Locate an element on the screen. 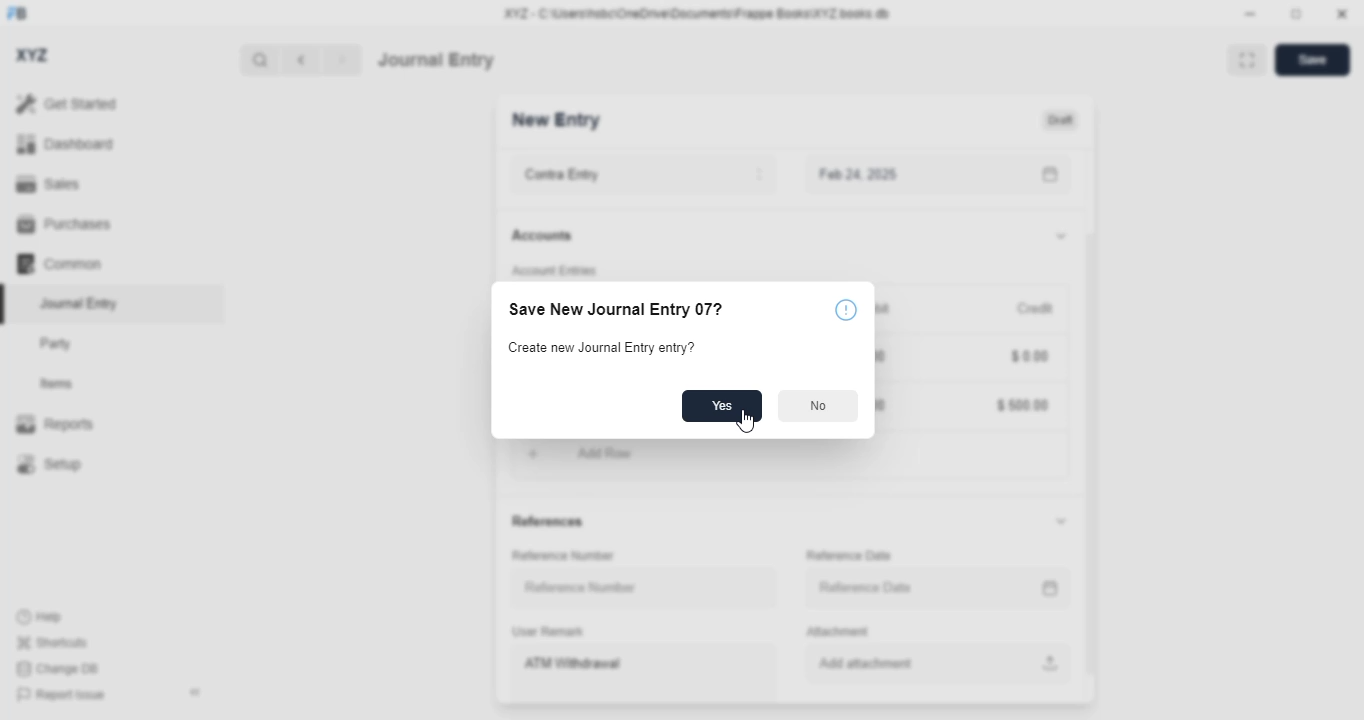 This screenshot has height=720, width=1364. change DB is located at coordinates (57, 668).